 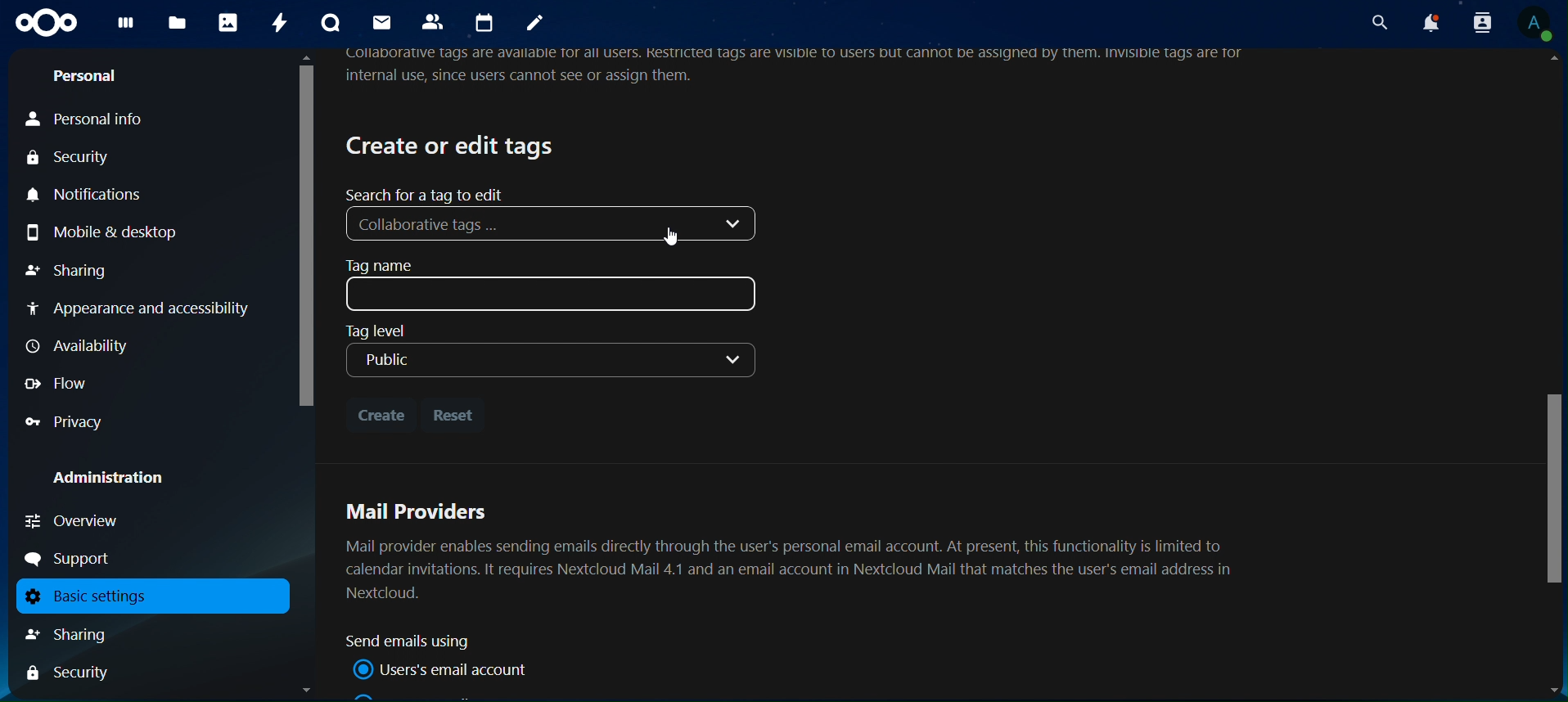 What do you see at coordinates (47, 23) in the screenshot?
I see `icon` at bounding box center [47, 23].